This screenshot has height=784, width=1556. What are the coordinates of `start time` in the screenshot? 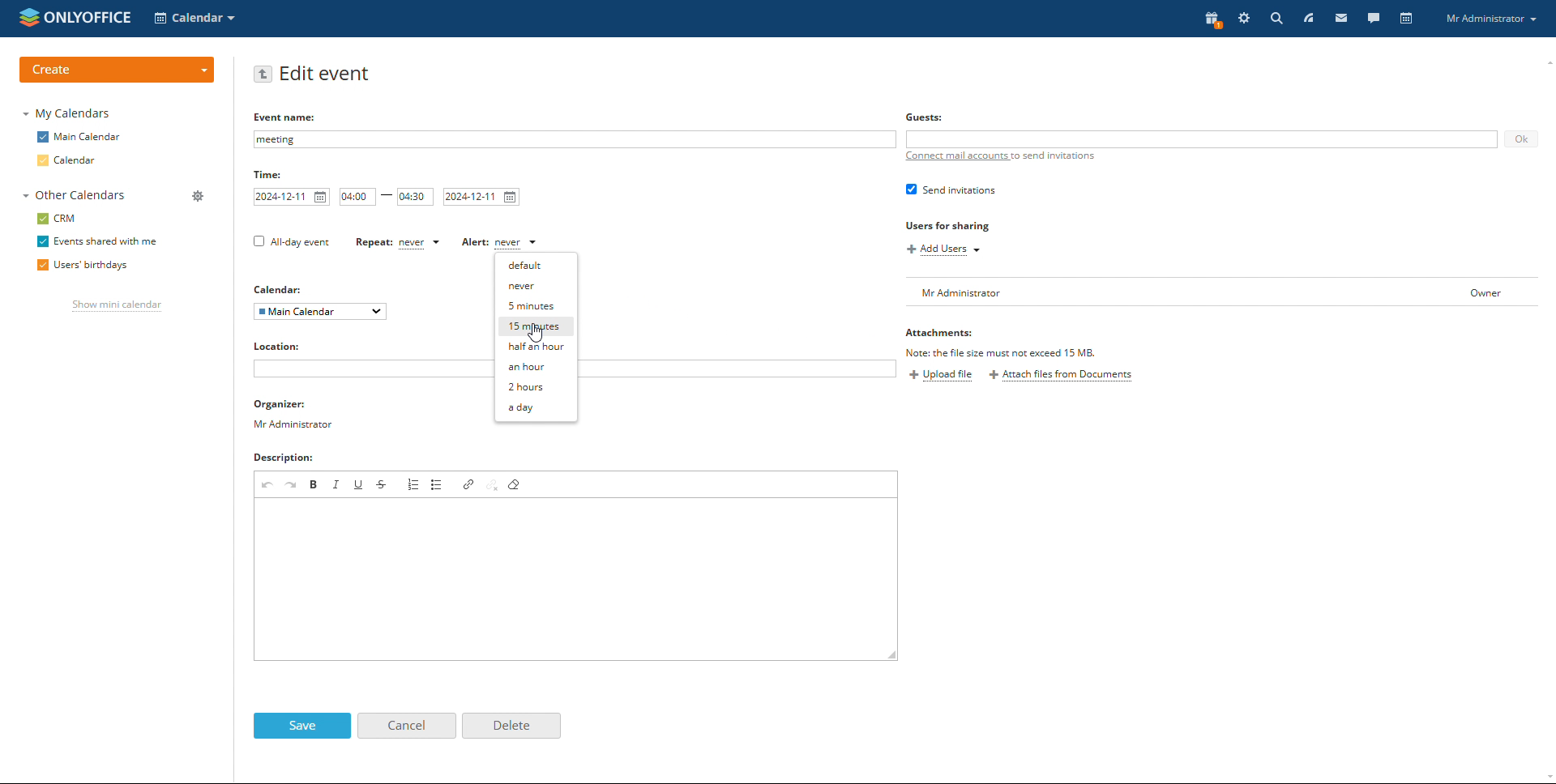 It's located at (357, 197).